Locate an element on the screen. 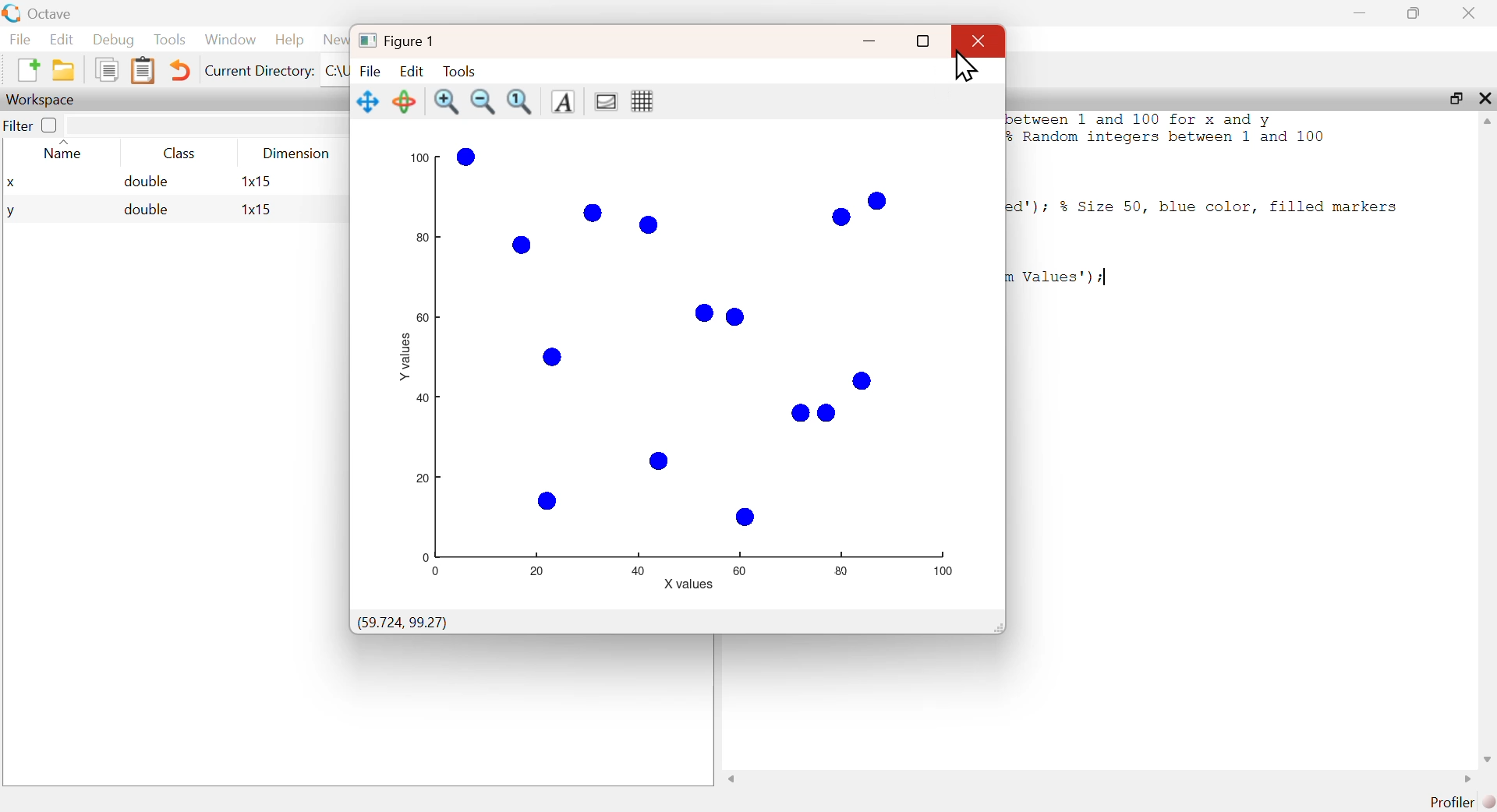  double is located at coordinates (147, 182).